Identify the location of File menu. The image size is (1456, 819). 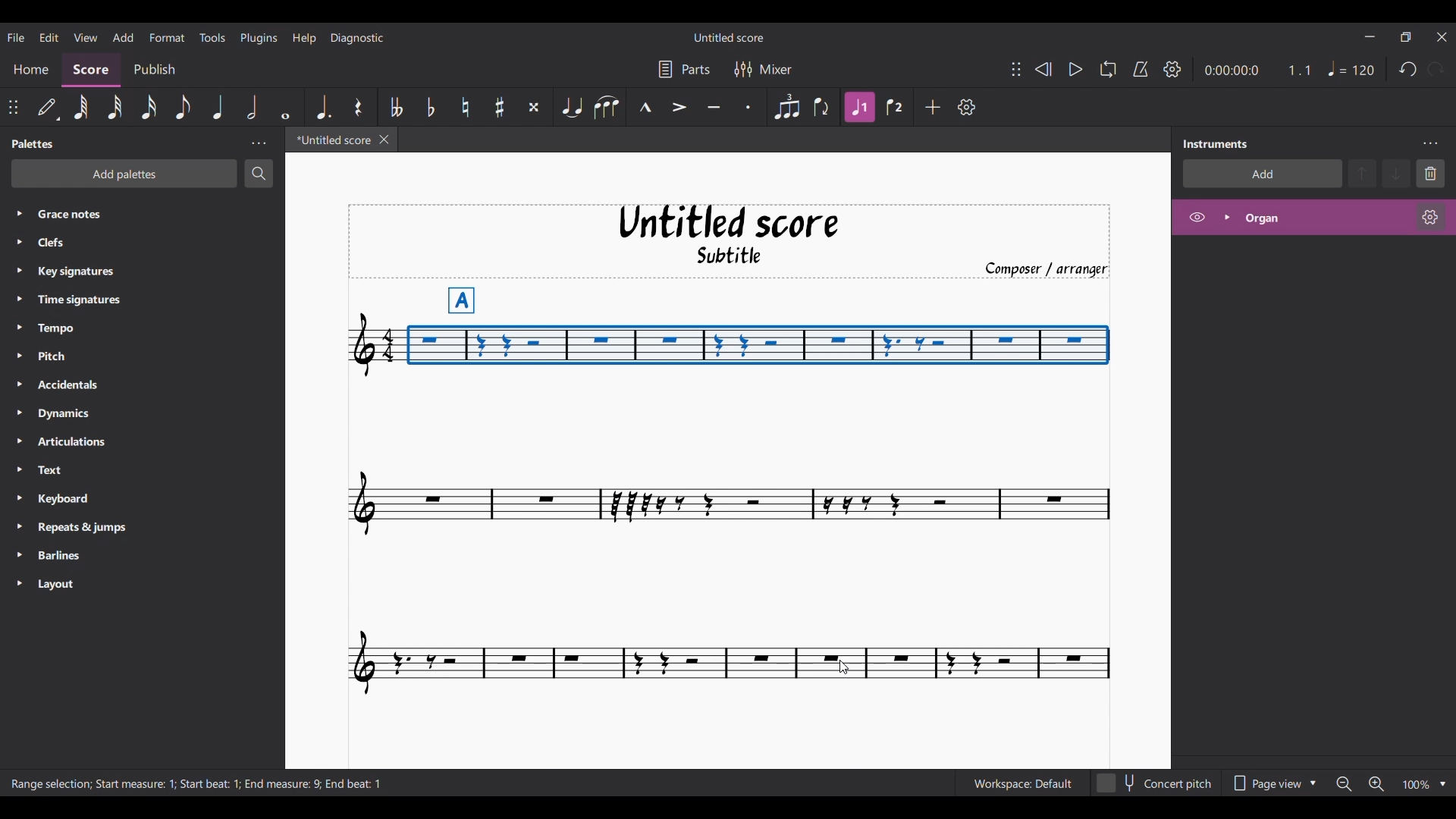
(15, 37).